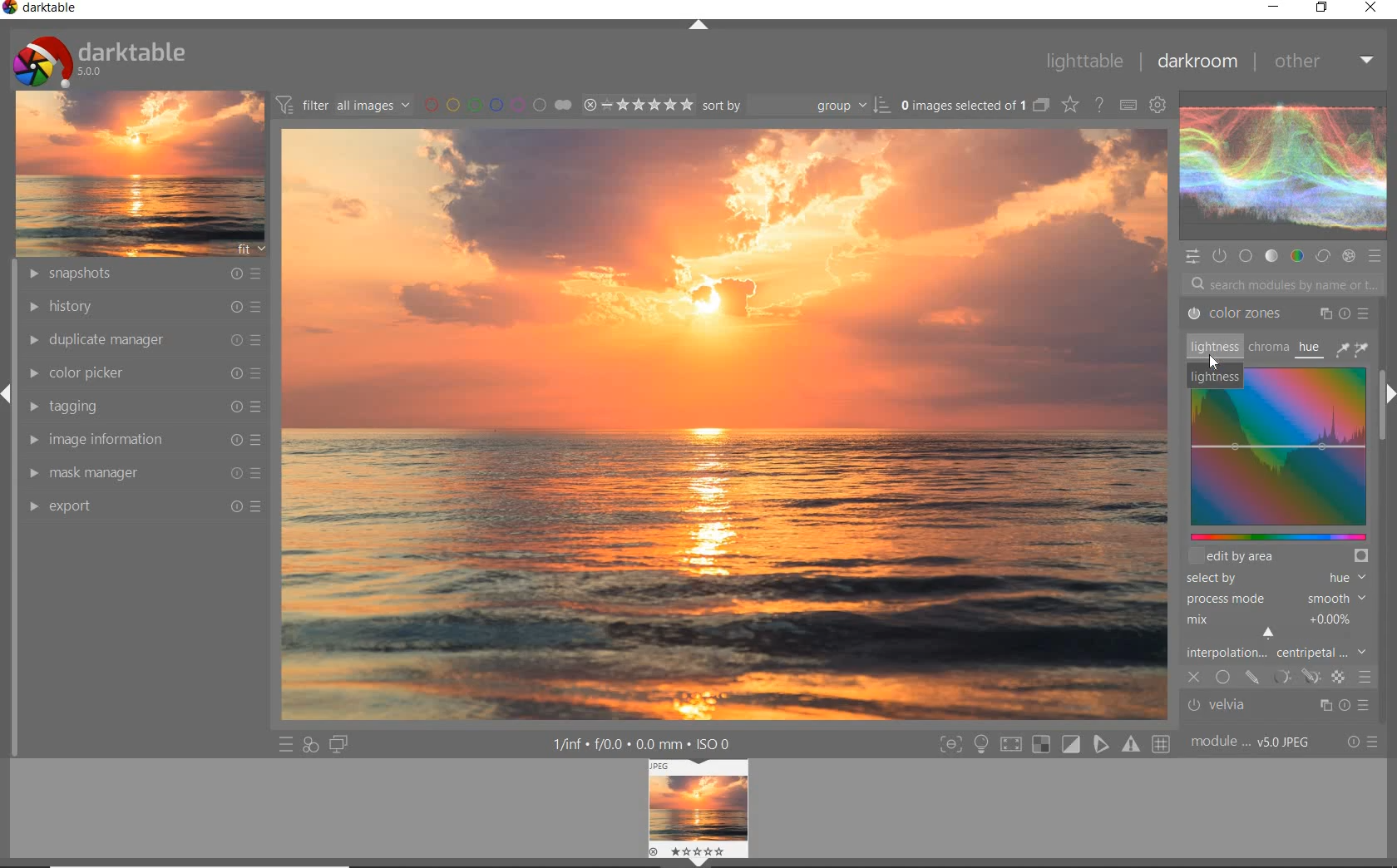  Describe the element at coordinates (140, 172) in the screenshot. I see `IMAGE` at that location.